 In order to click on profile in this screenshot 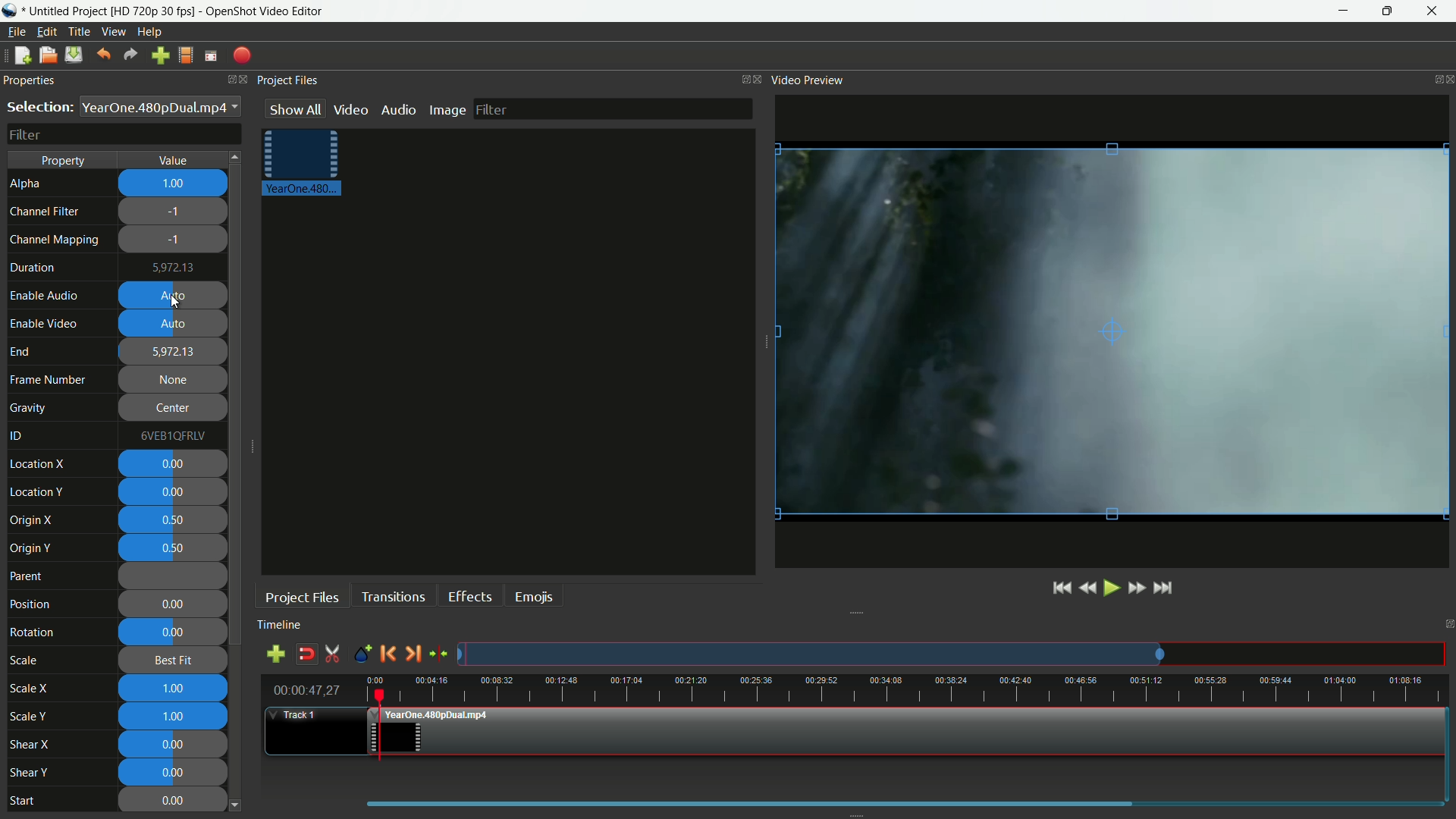, I will do `click(152, 11)`.